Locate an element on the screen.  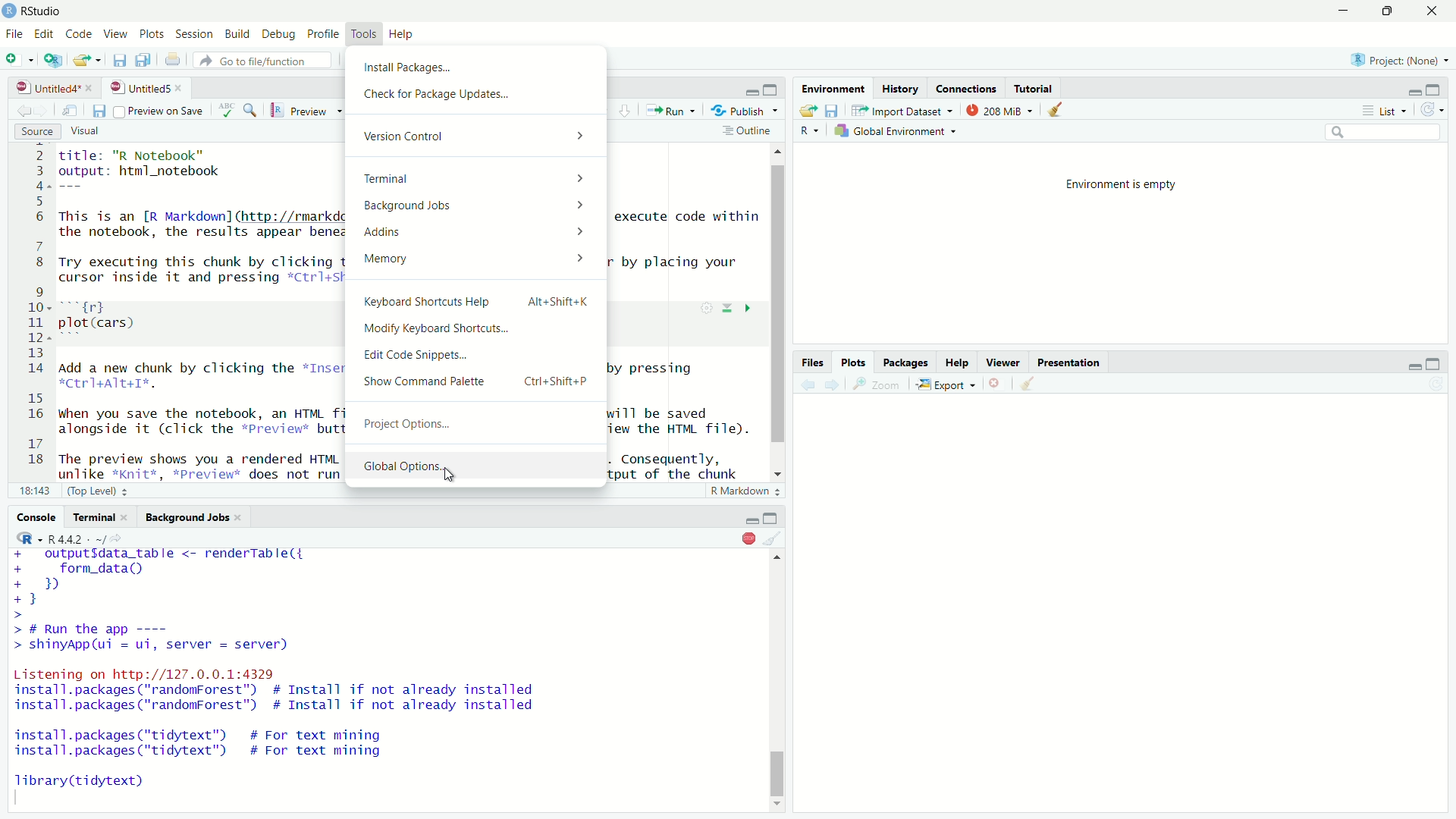
clear object is located at coordinates (1032, 384).